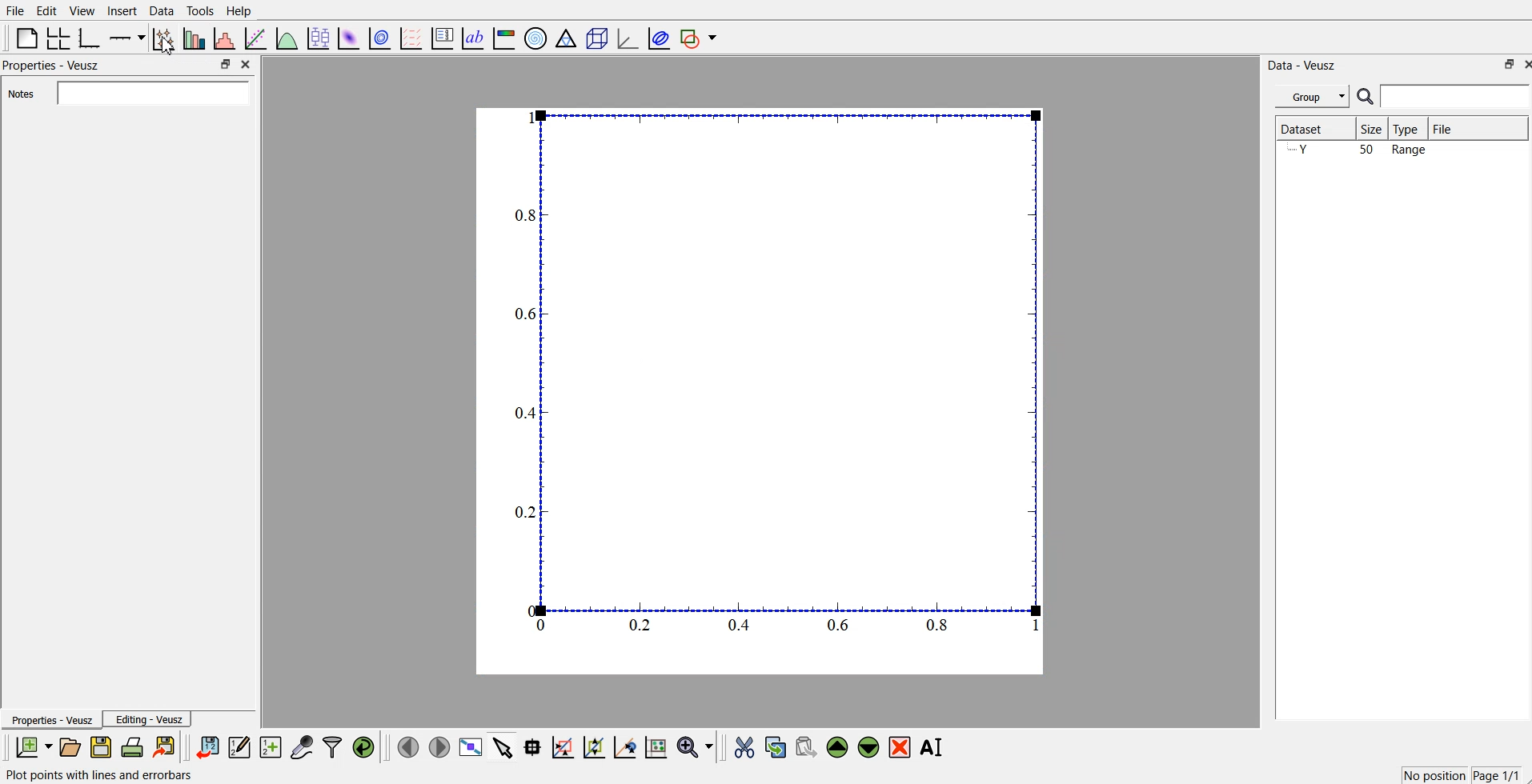 The image size is (1532, 784). What do you see at coordinates (128, 37) in the screenshot?
I see `Add an axis` at bounding box center [128, 37].